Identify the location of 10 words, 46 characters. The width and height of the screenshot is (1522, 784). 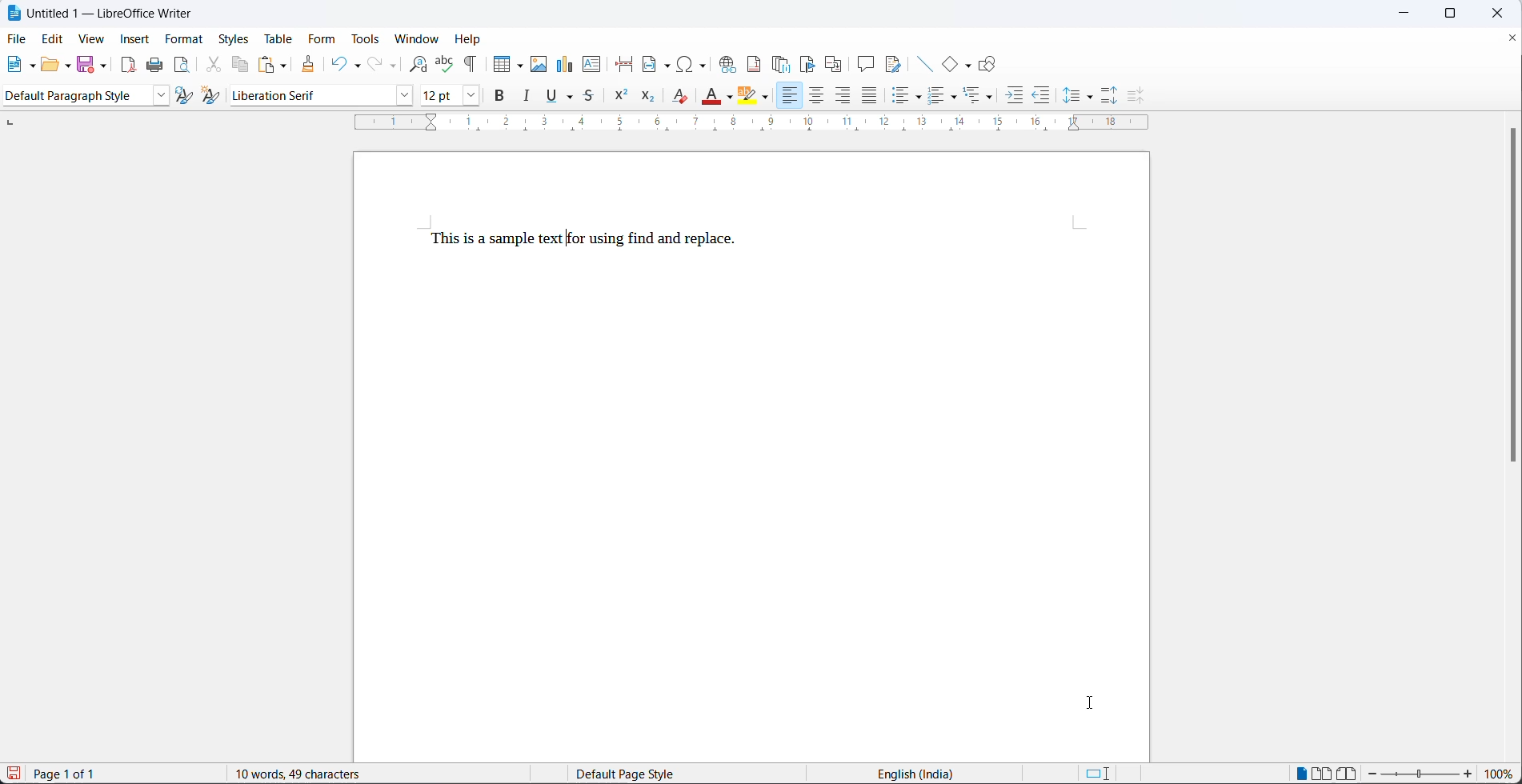
(318, 773).